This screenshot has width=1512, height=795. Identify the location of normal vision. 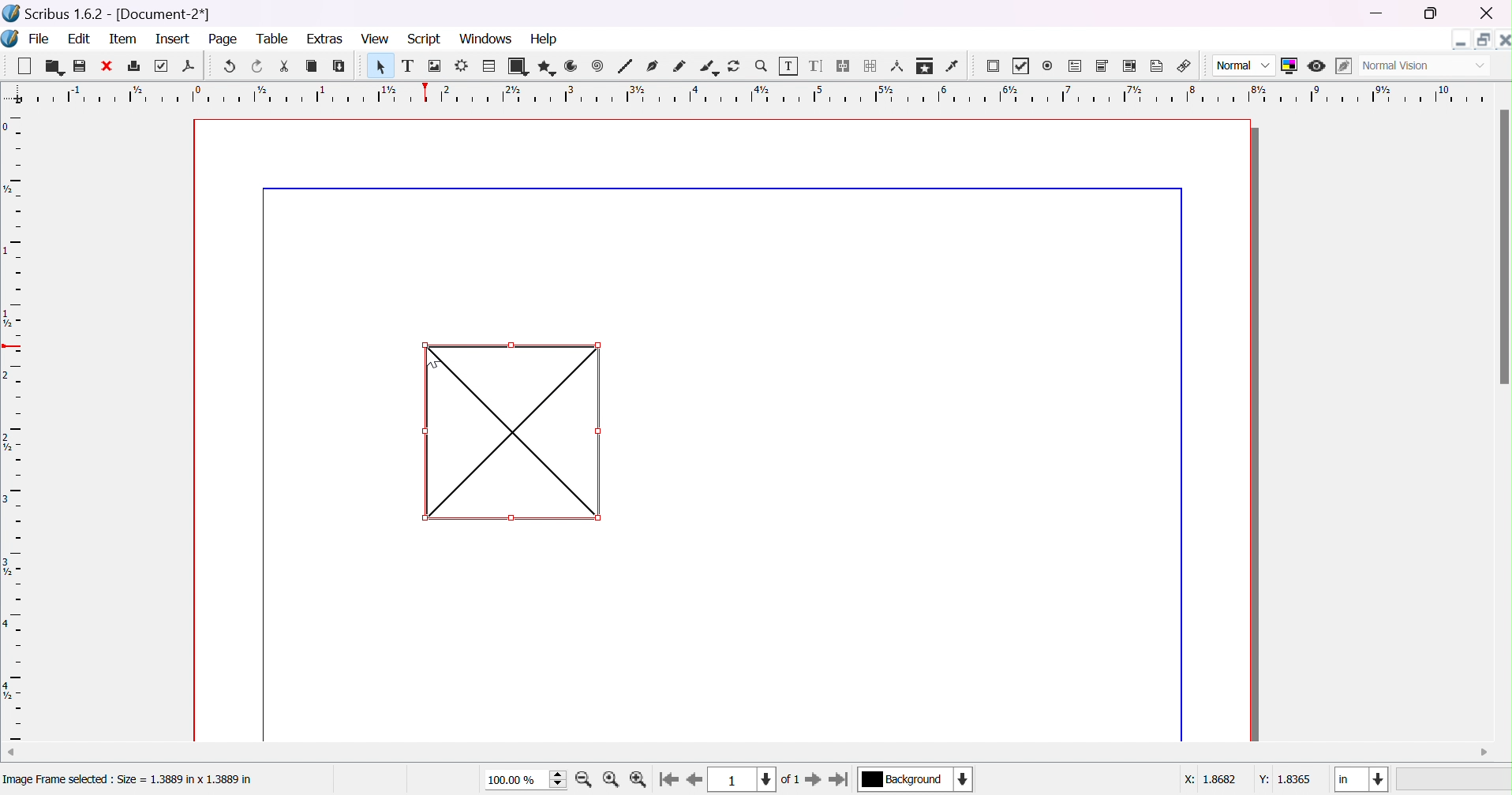
(1424, 66).